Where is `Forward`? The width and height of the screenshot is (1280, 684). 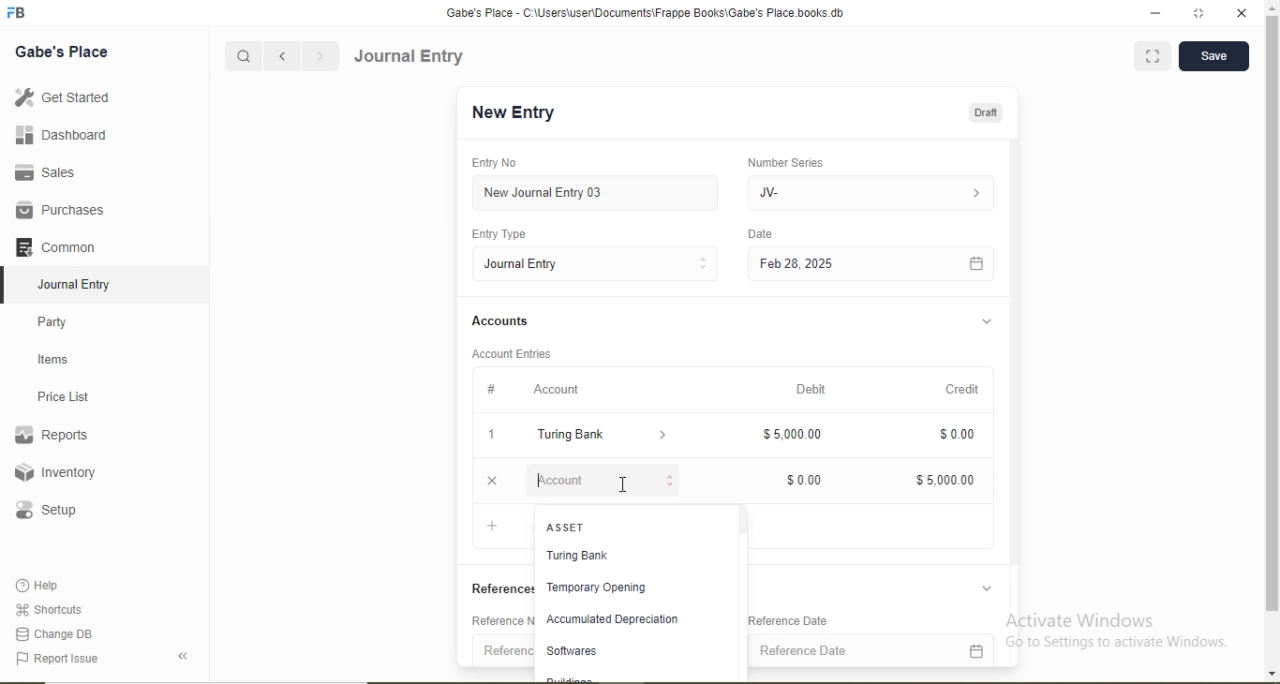
Forward is located at coordinates (321, 56).